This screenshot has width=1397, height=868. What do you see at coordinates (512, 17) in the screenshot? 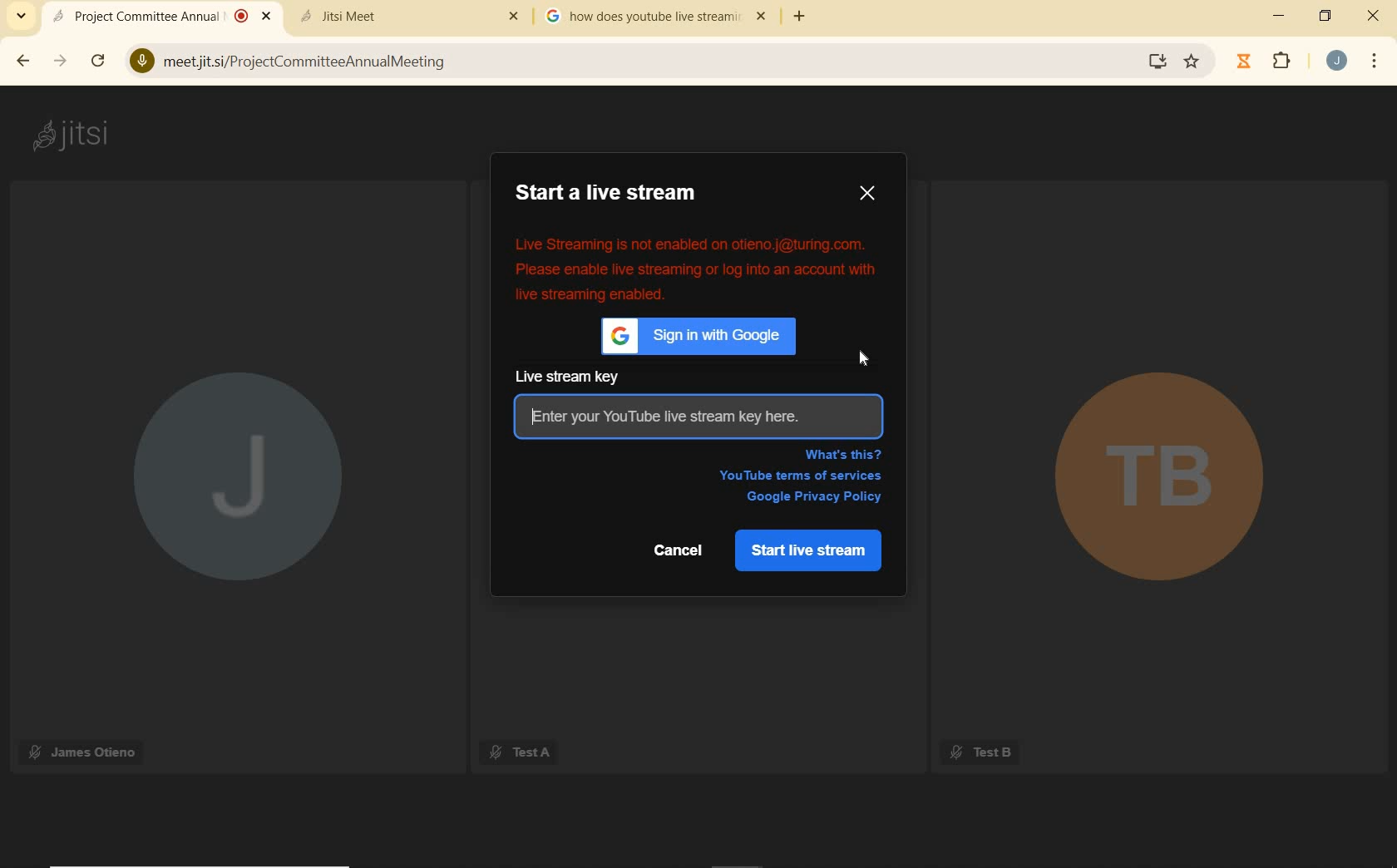
I see `` at bounding box center [512, 17].